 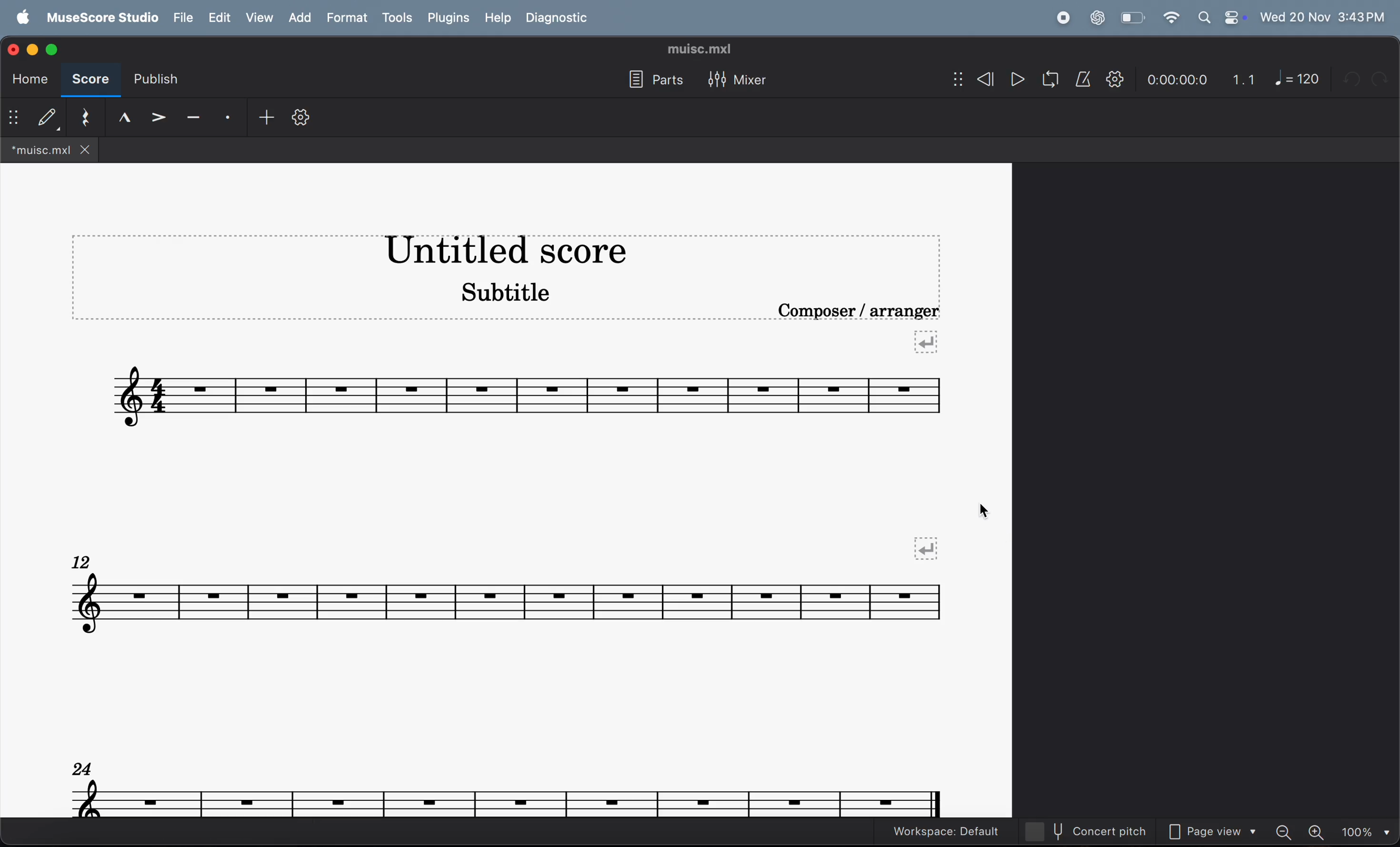 What do you see at coordinates (158, 115) in the screenshot?
I see `accent` at bounding box center [158, 115].